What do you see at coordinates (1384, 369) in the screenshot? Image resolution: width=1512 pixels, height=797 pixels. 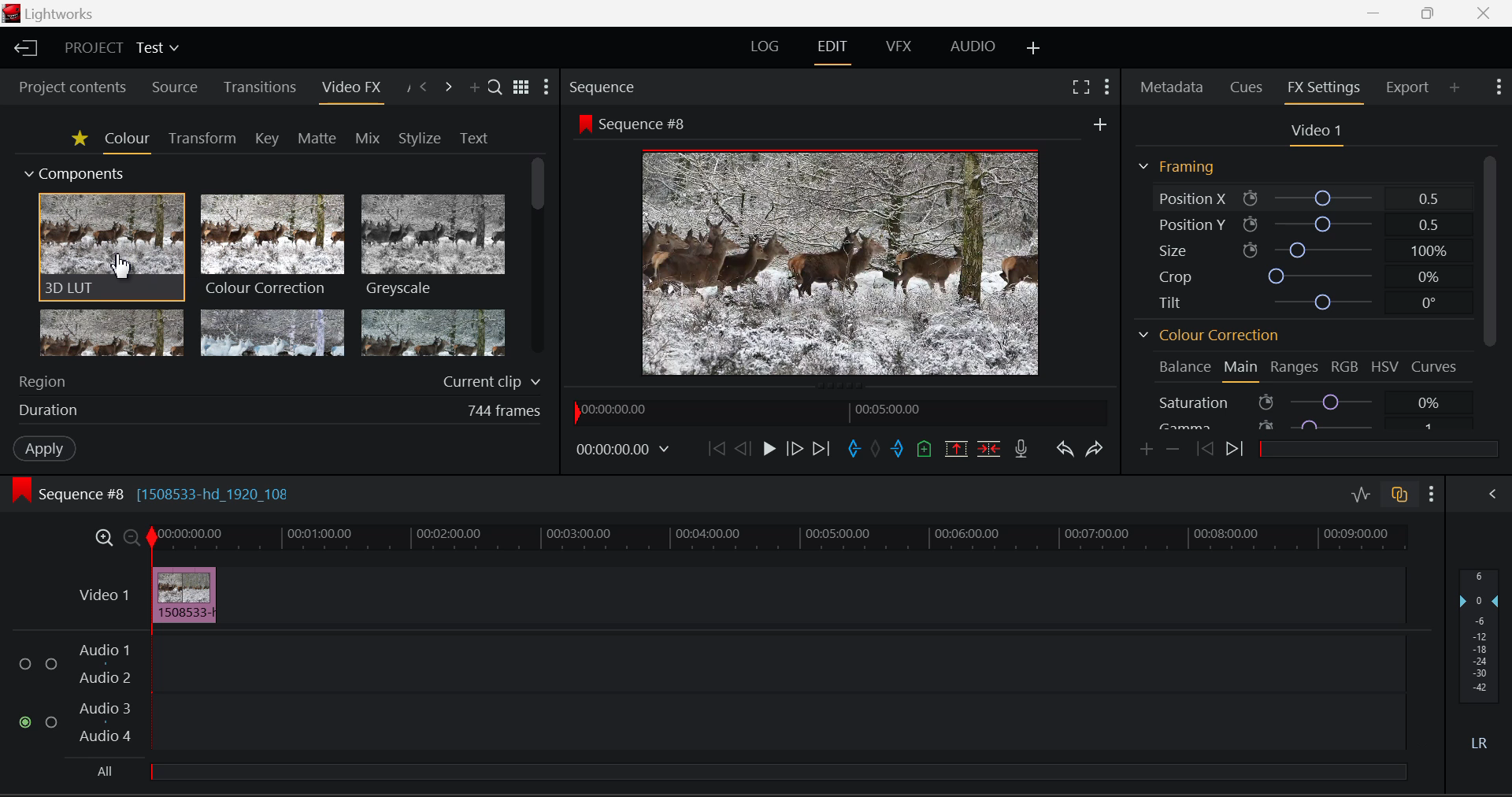 I see `HSV` at bounding box center [1384, 369].